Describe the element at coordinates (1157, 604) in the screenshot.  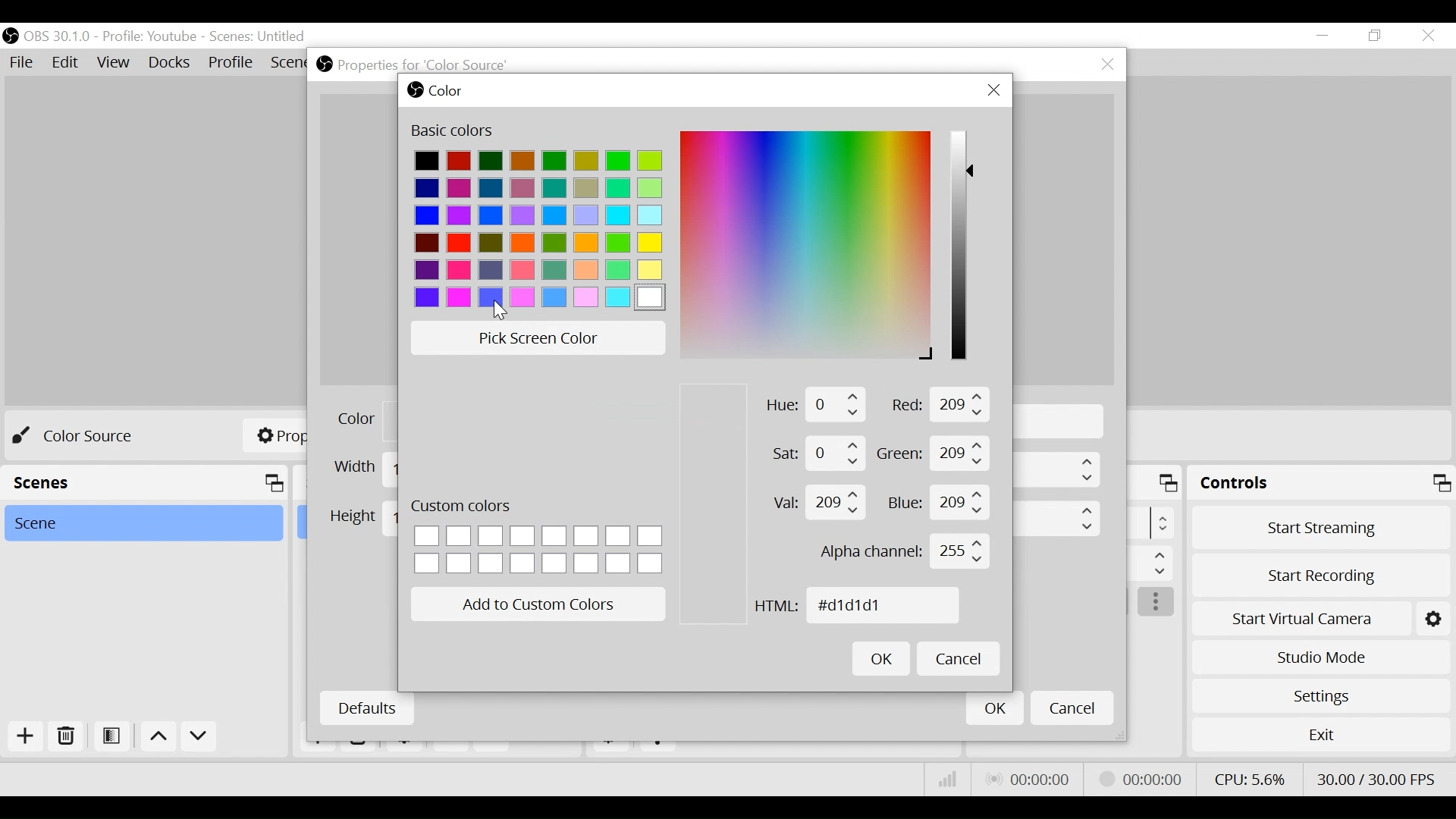
I see `more options` at that location.